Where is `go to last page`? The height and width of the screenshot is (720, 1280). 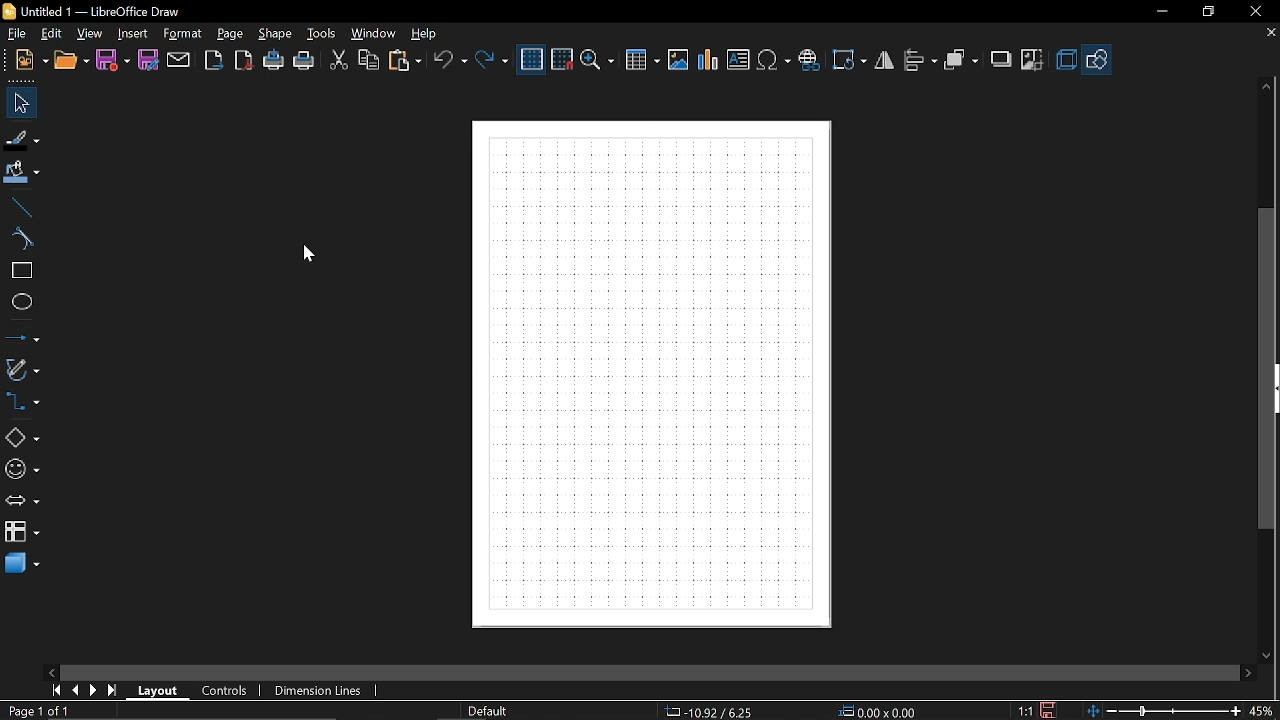 go to last page is located at coordinates (114, 692).